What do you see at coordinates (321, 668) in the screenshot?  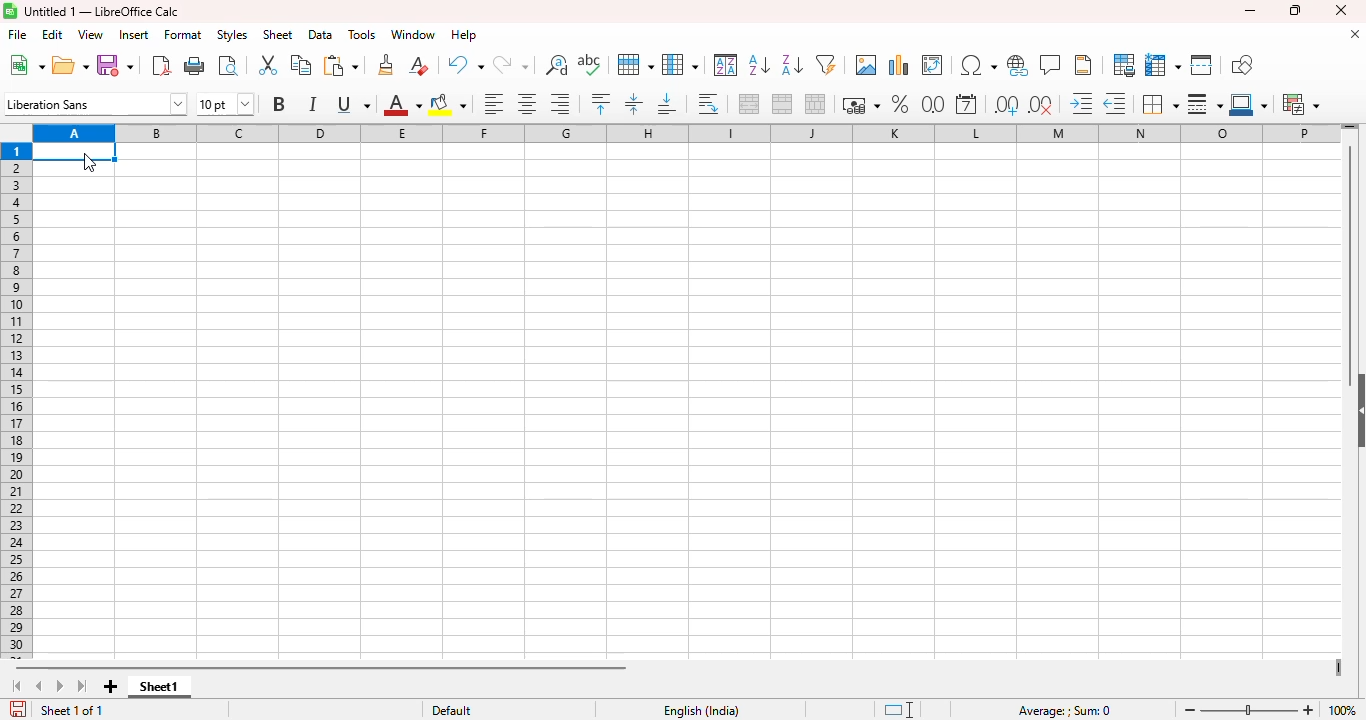 I see `horizontal scroll bar` at bounding box center [321, 668].